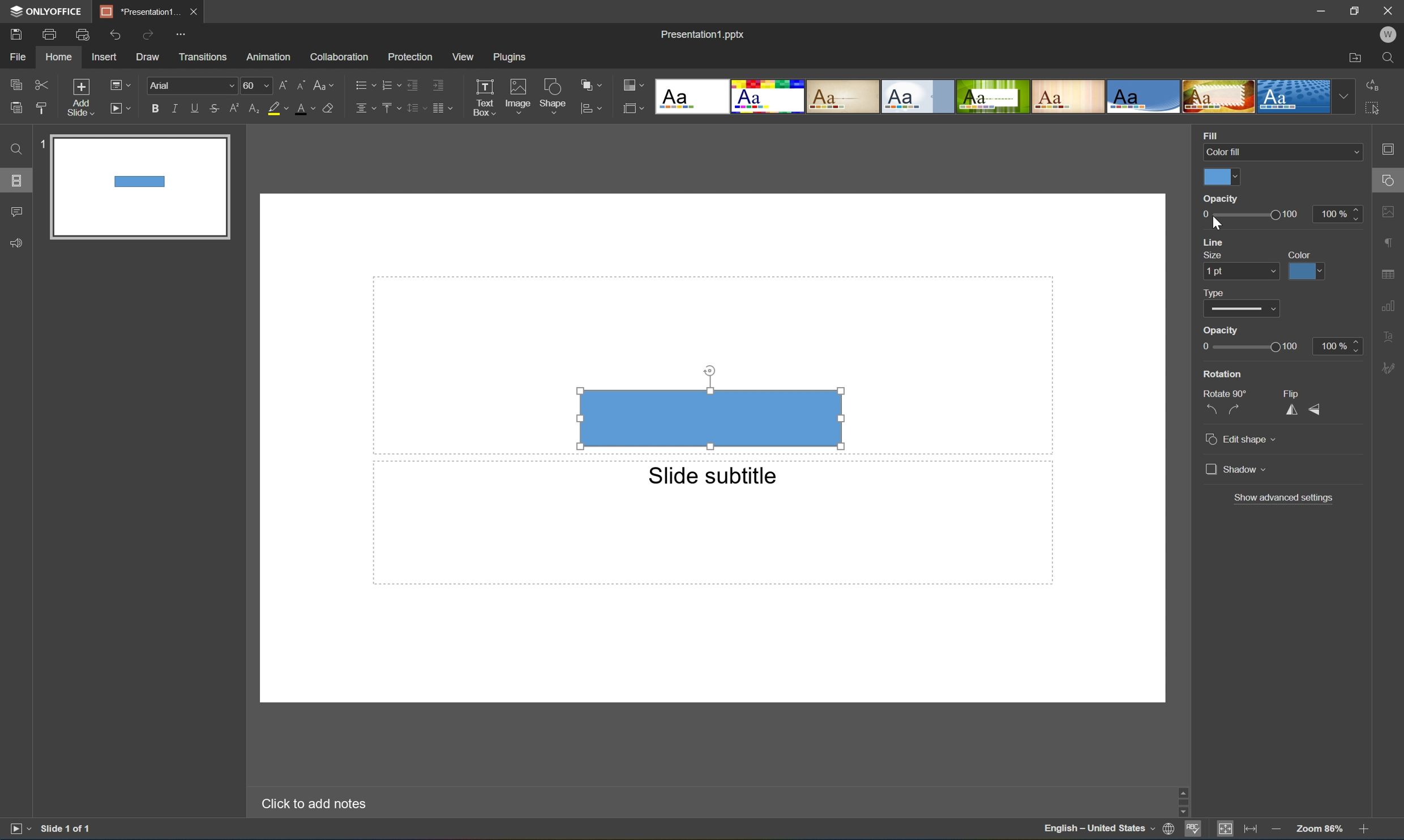 The image size is (1404, 840). What do you see at coordinates (415, 109) in the screenshot?
I see `Line spacing` at bounding box center [415, 109].